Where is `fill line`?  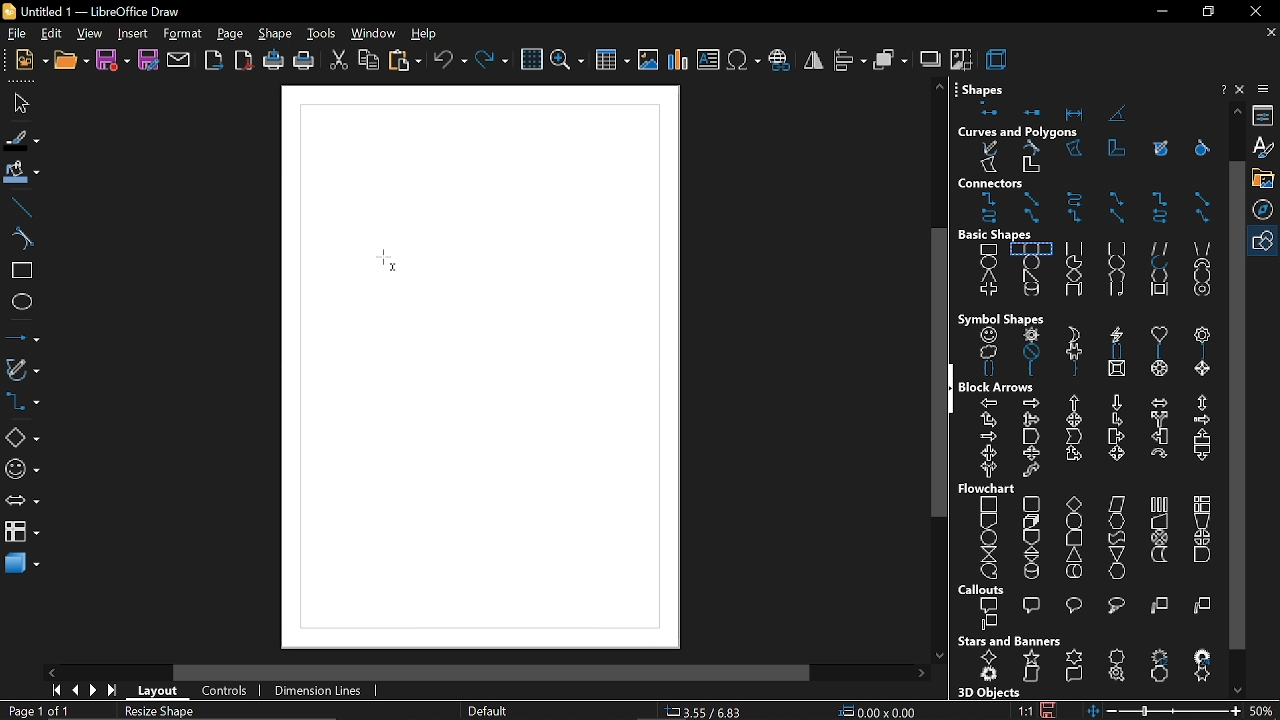
fill line is located at coordinates (22, 141).